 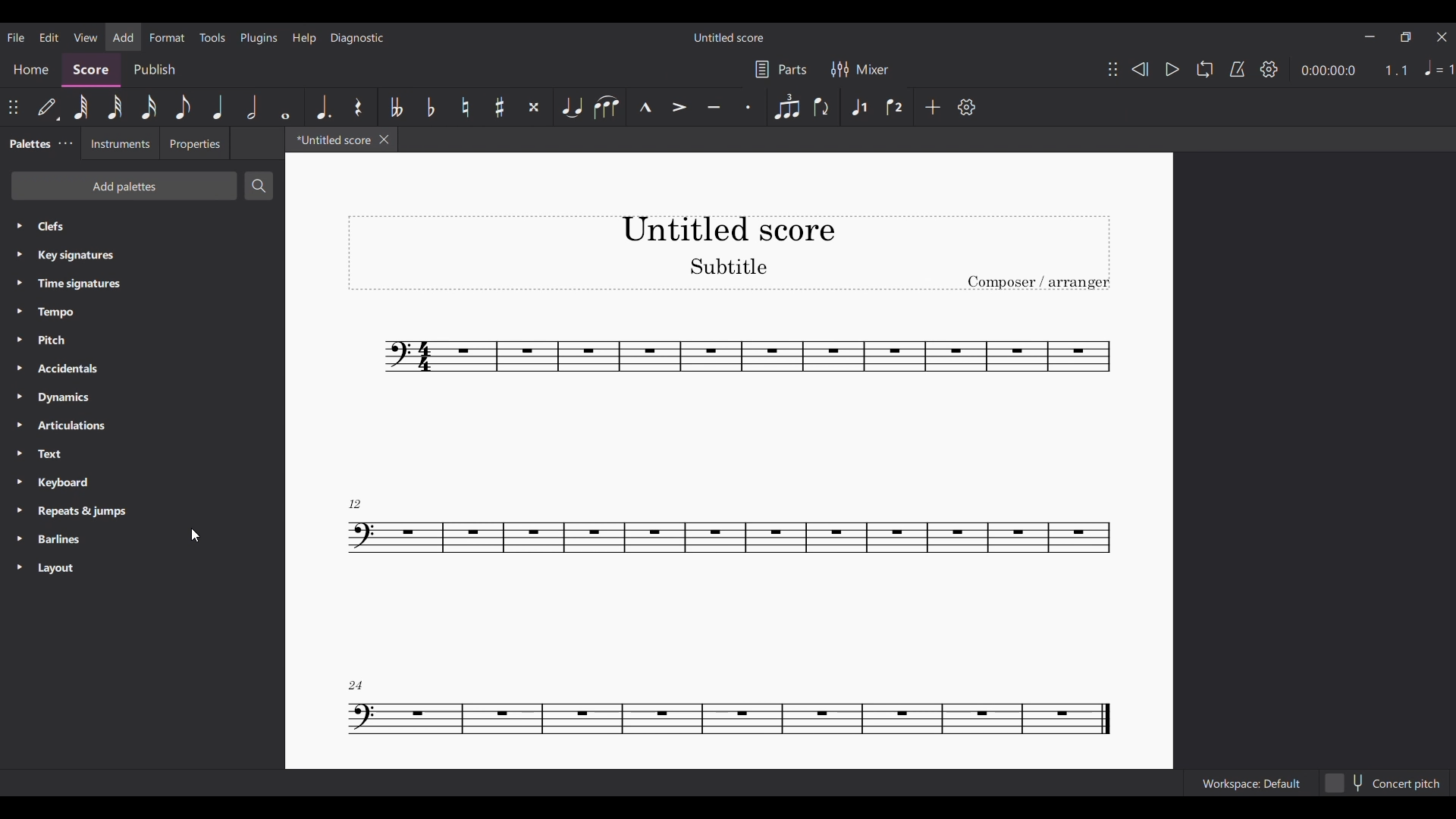 What do you see at coordinates (711, 530) in the screenshot?
I see `Music note` at bounding box center [711, 530].